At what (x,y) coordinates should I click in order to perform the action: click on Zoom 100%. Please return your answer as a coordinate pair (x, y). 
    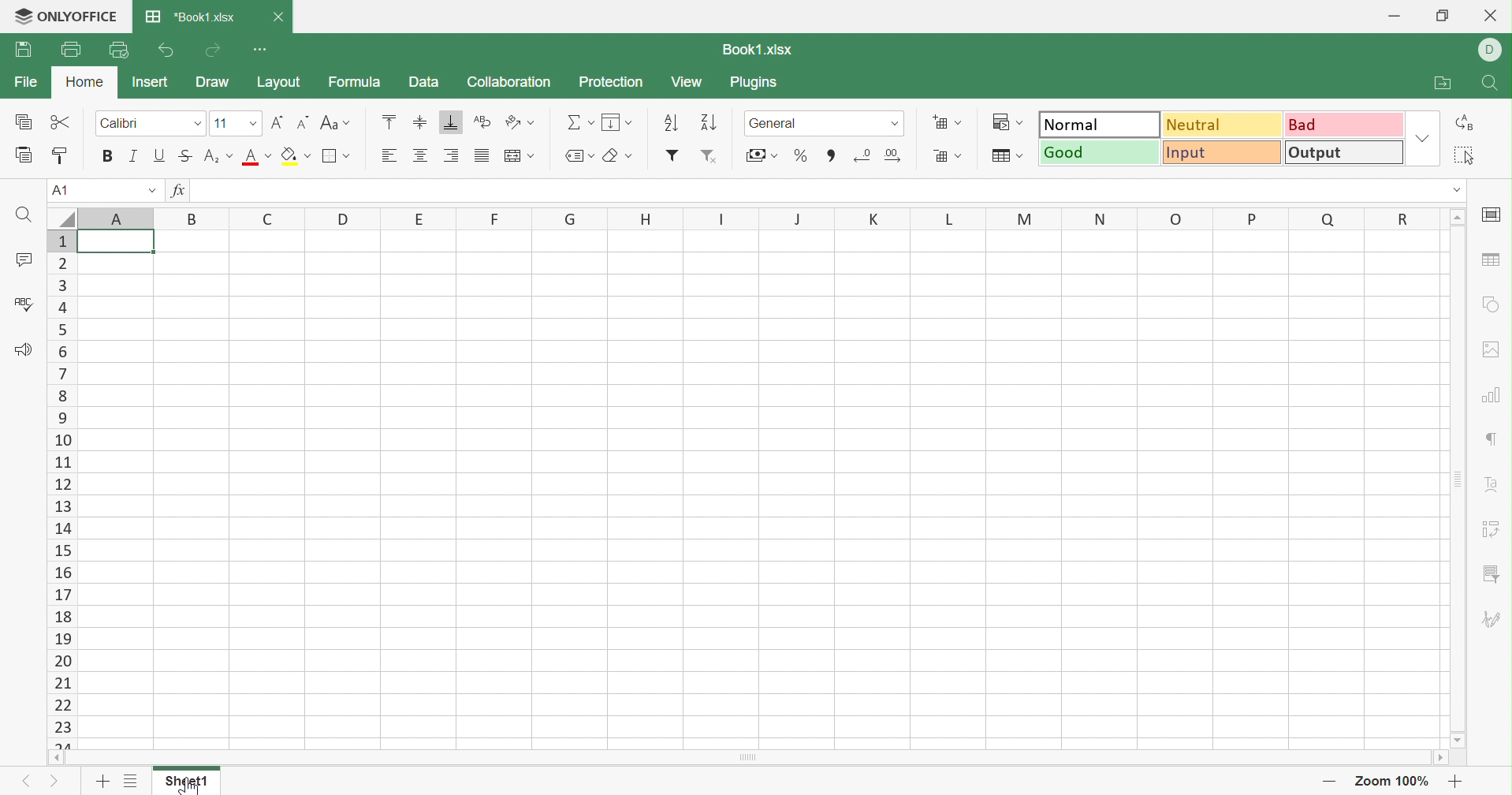
    Looking at the image, I should click on (1389, 779).